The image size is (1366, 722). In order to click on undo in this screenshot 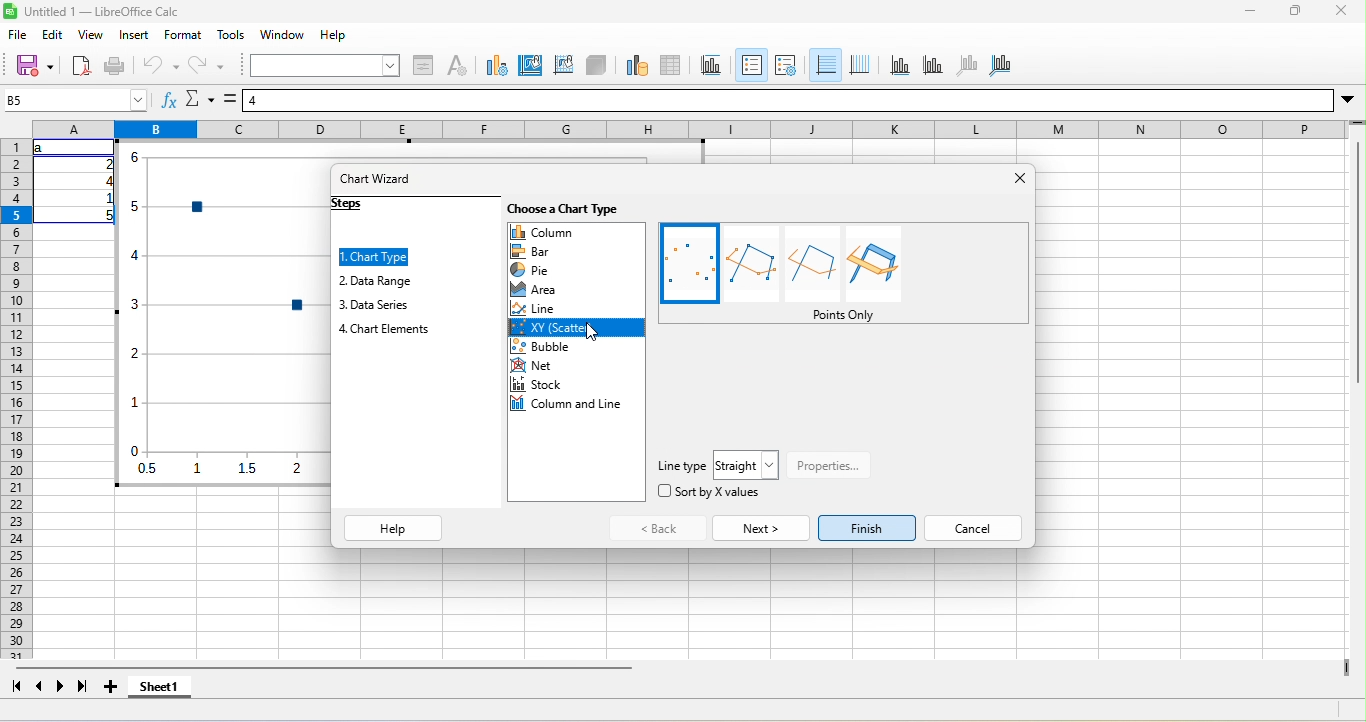, I will do `click(159, 66)`.